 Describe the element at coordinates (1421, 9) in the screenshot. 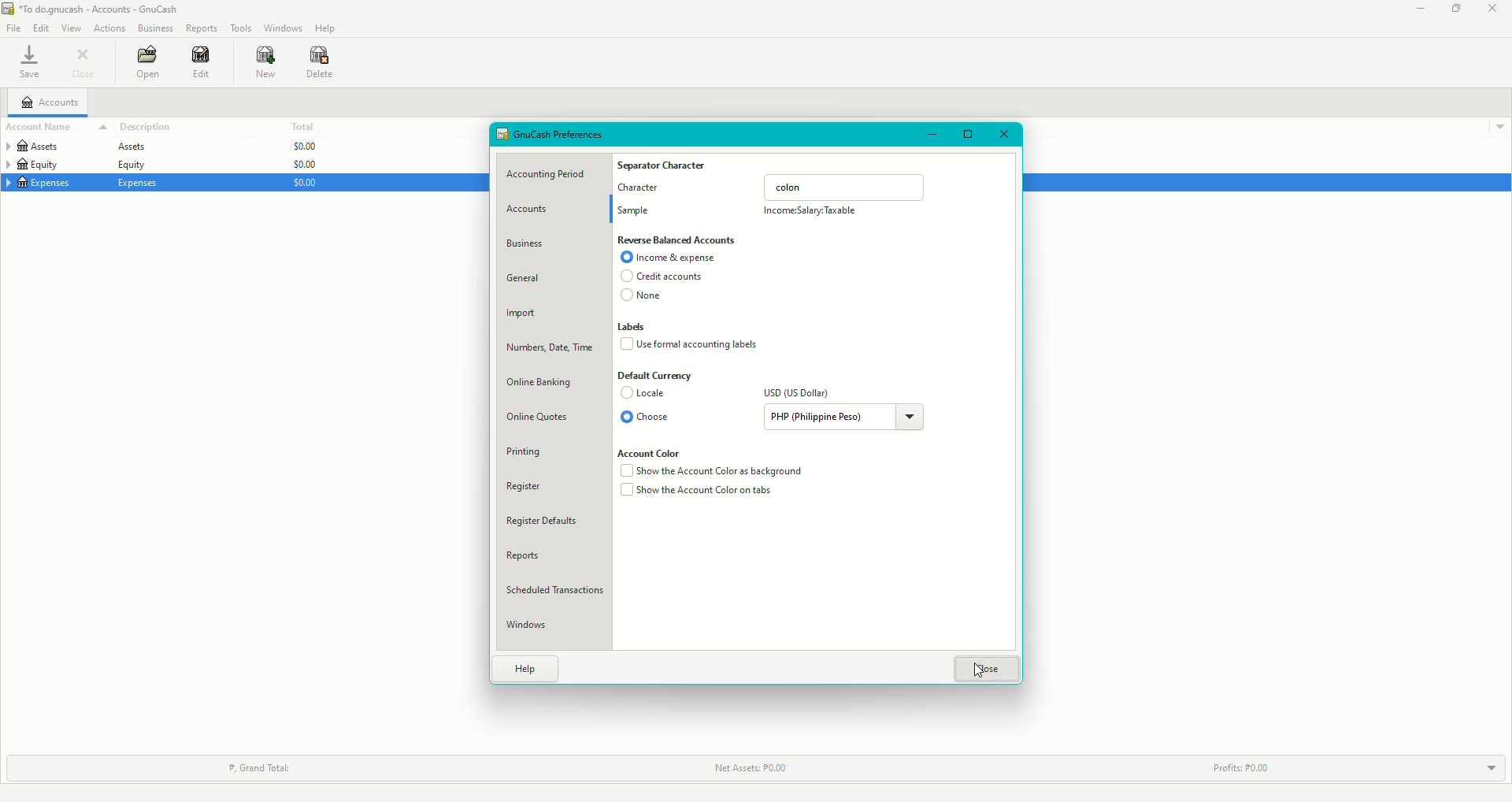

I see `Minimize` at that location.